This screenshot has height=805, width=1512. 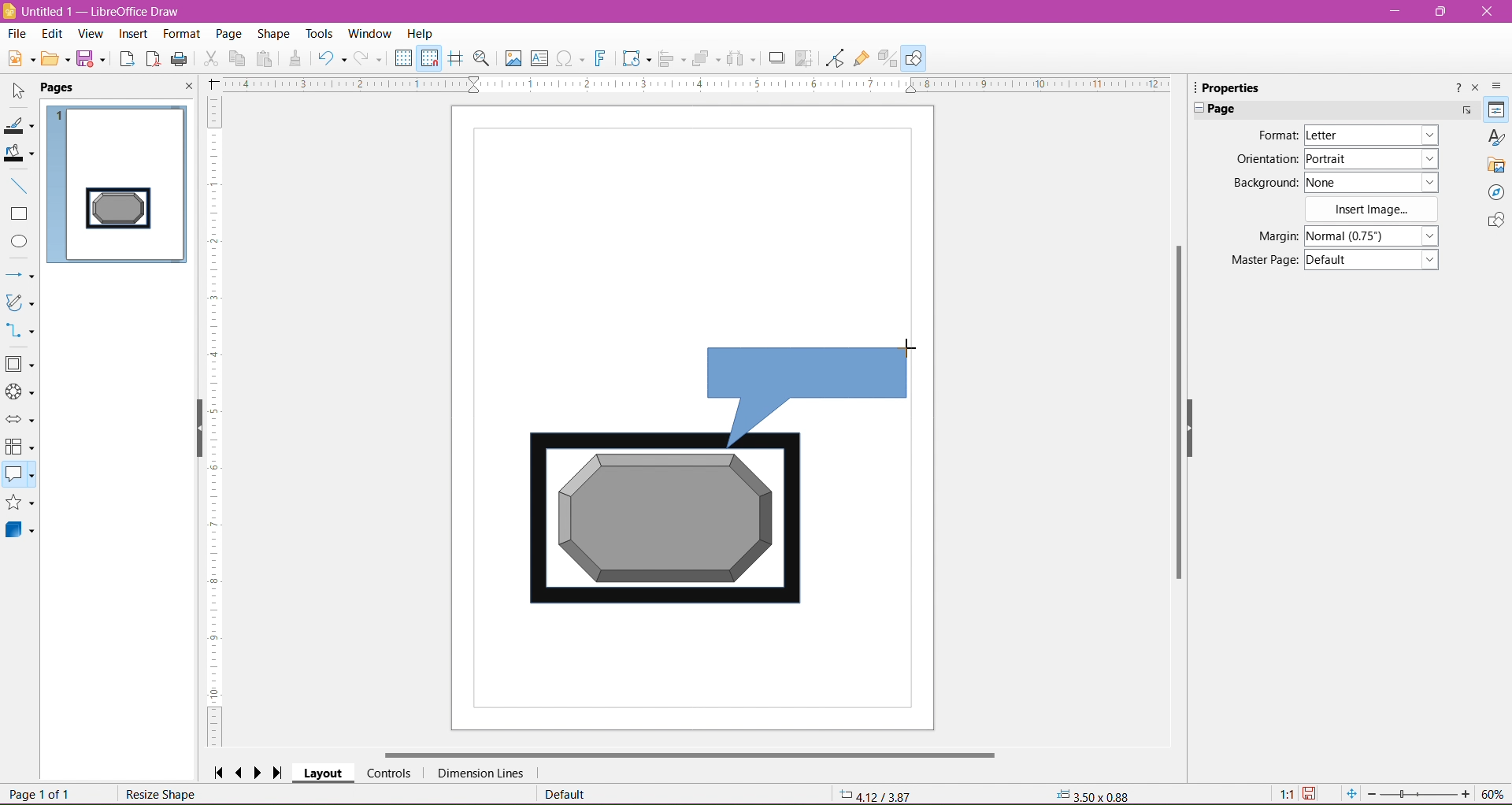 What do you see at coordinates (1237, 87) in the screenshot?
I see `Properties` at bounding box center [1237, 87].